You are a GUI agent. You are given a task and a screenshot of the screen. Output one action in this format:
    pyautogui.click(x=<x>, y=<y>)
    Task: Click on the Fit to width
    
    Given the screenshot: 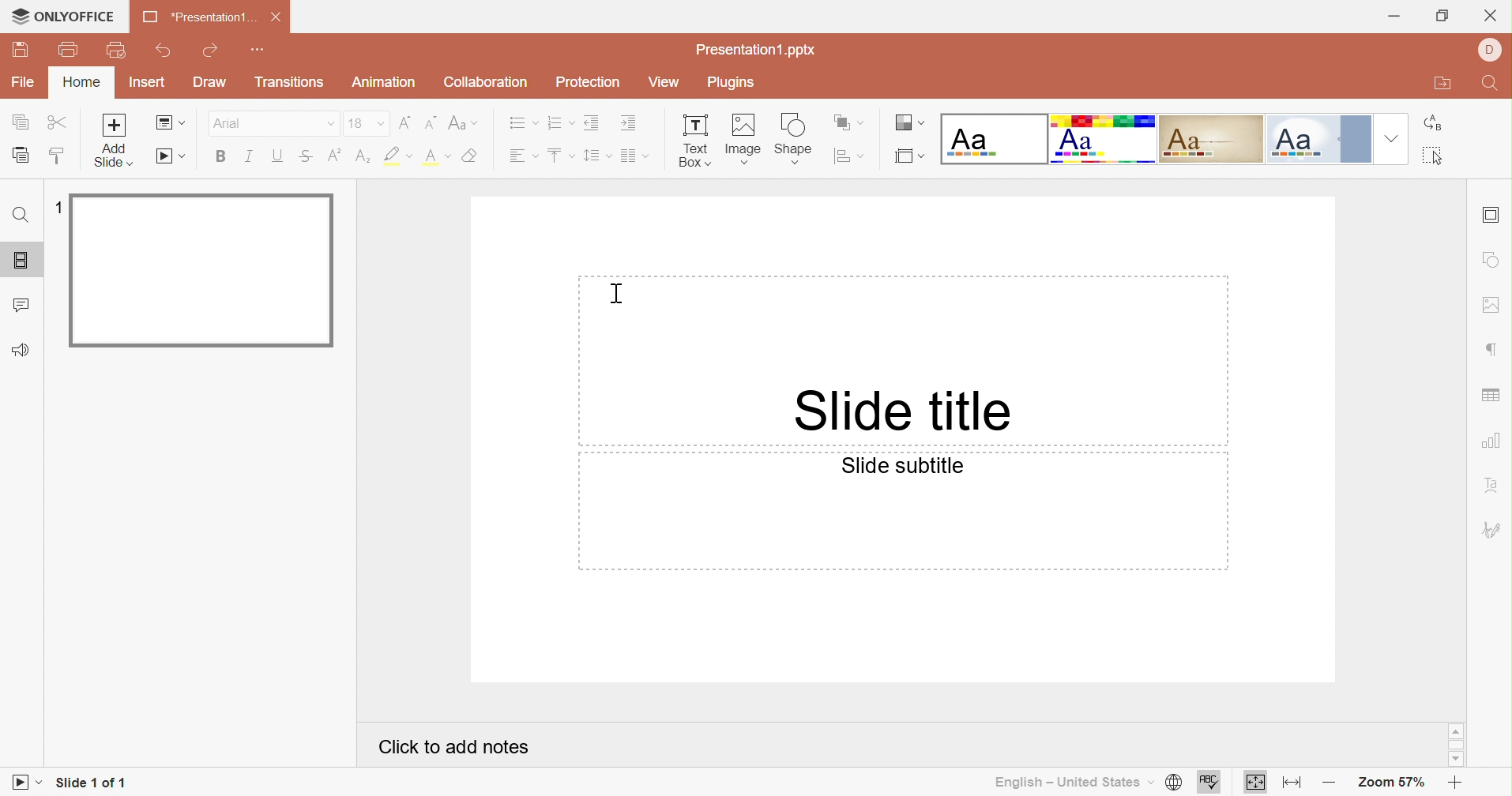 What is the action you would take?
    pyautogui.click(x=1296, y=783)
    